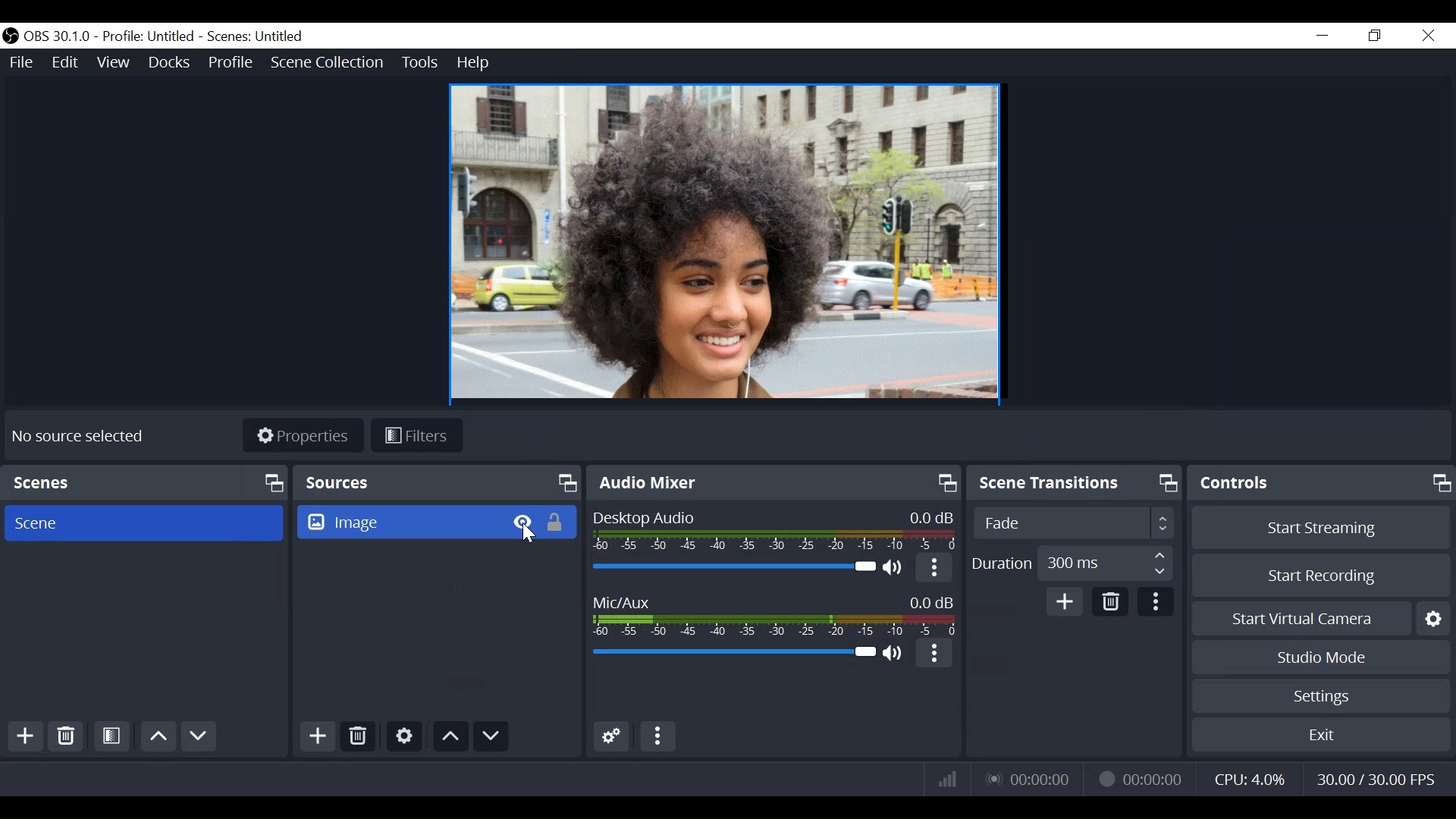  What do you see at coordinates (934, 566) in the screenshot?
I see `more options` at bounding box center [934, 566].